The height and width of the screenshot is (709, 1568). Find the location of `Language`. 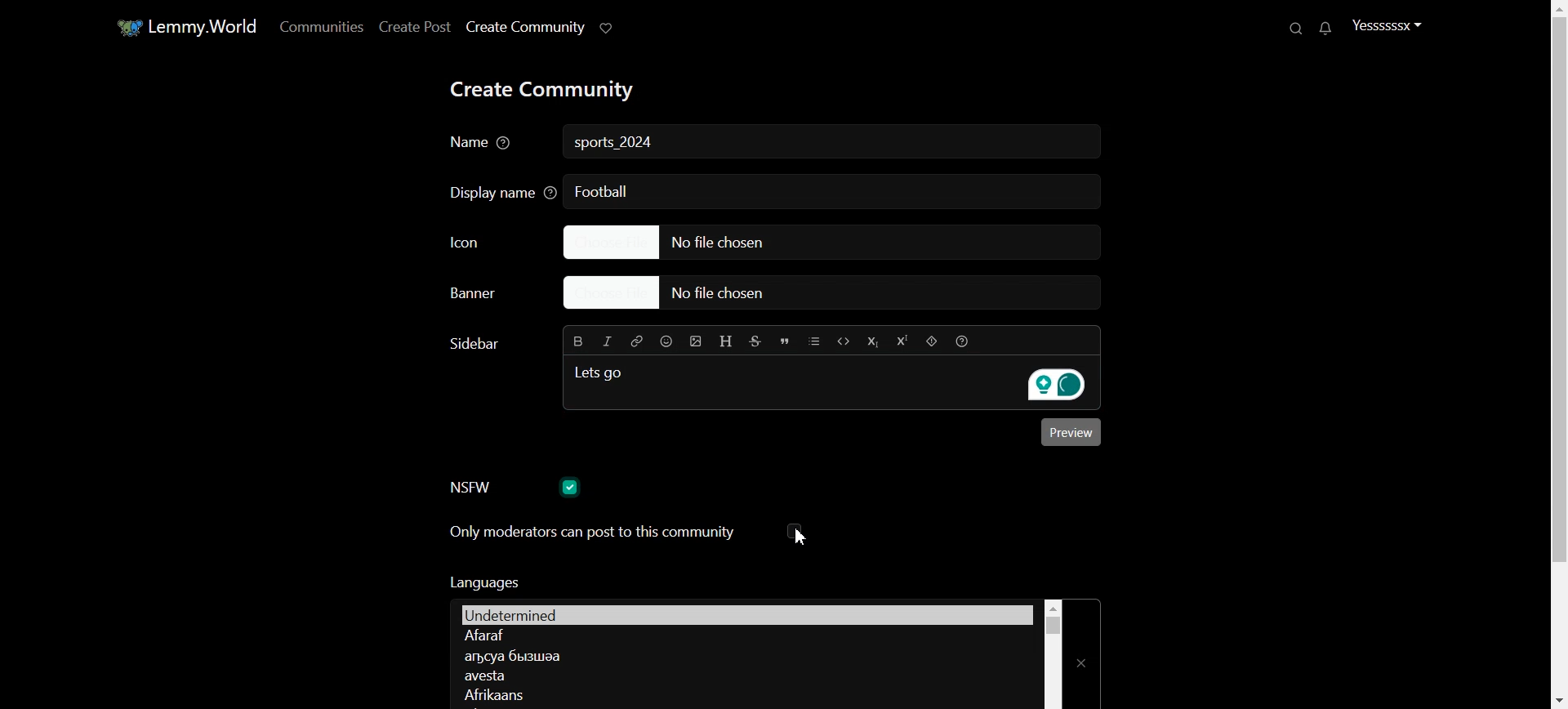

Language is located at coordinates (744, 636).